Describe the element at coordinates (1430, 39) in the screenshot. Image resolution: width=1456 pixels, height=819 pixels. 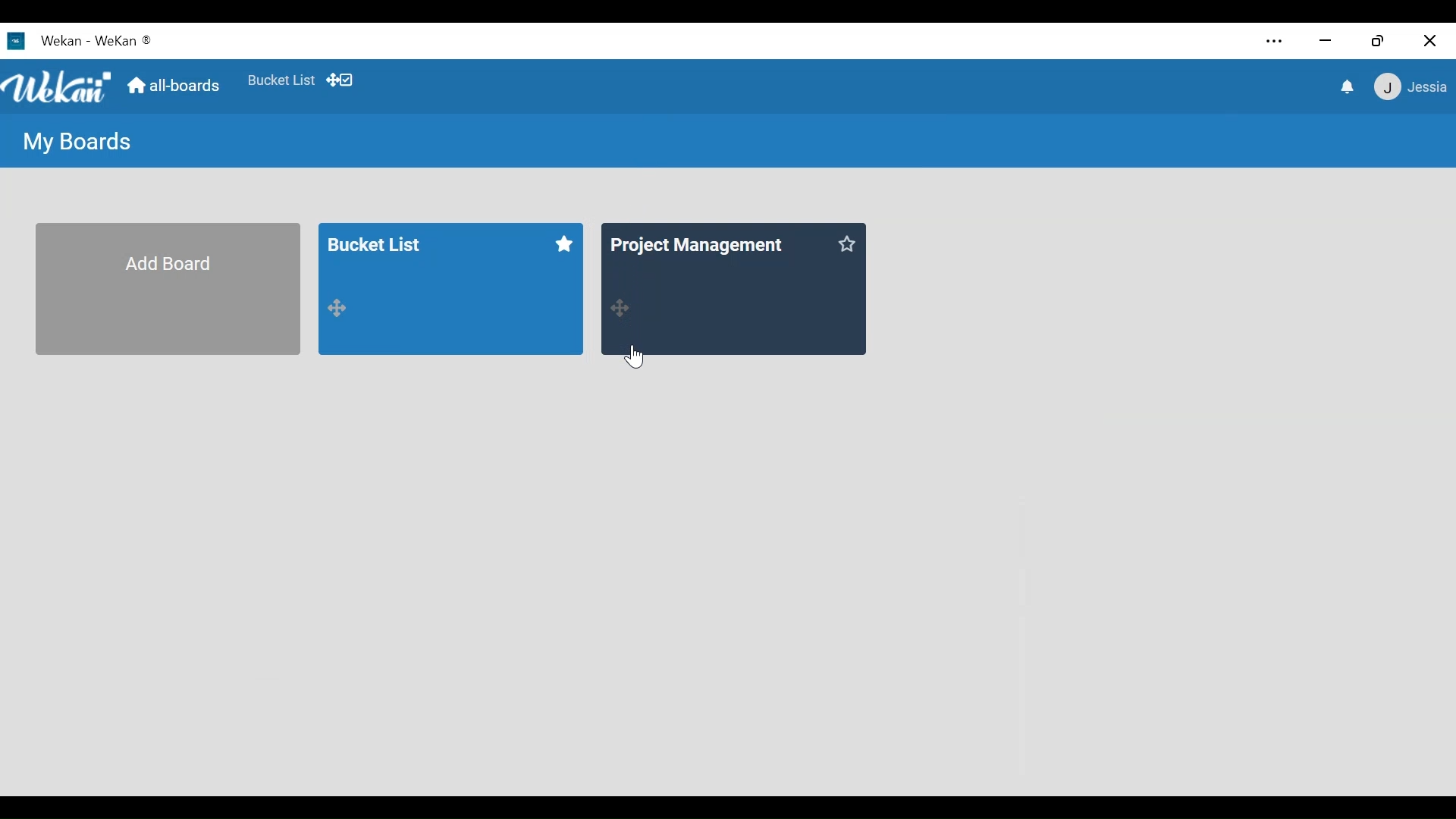
I see `Close` at that location.